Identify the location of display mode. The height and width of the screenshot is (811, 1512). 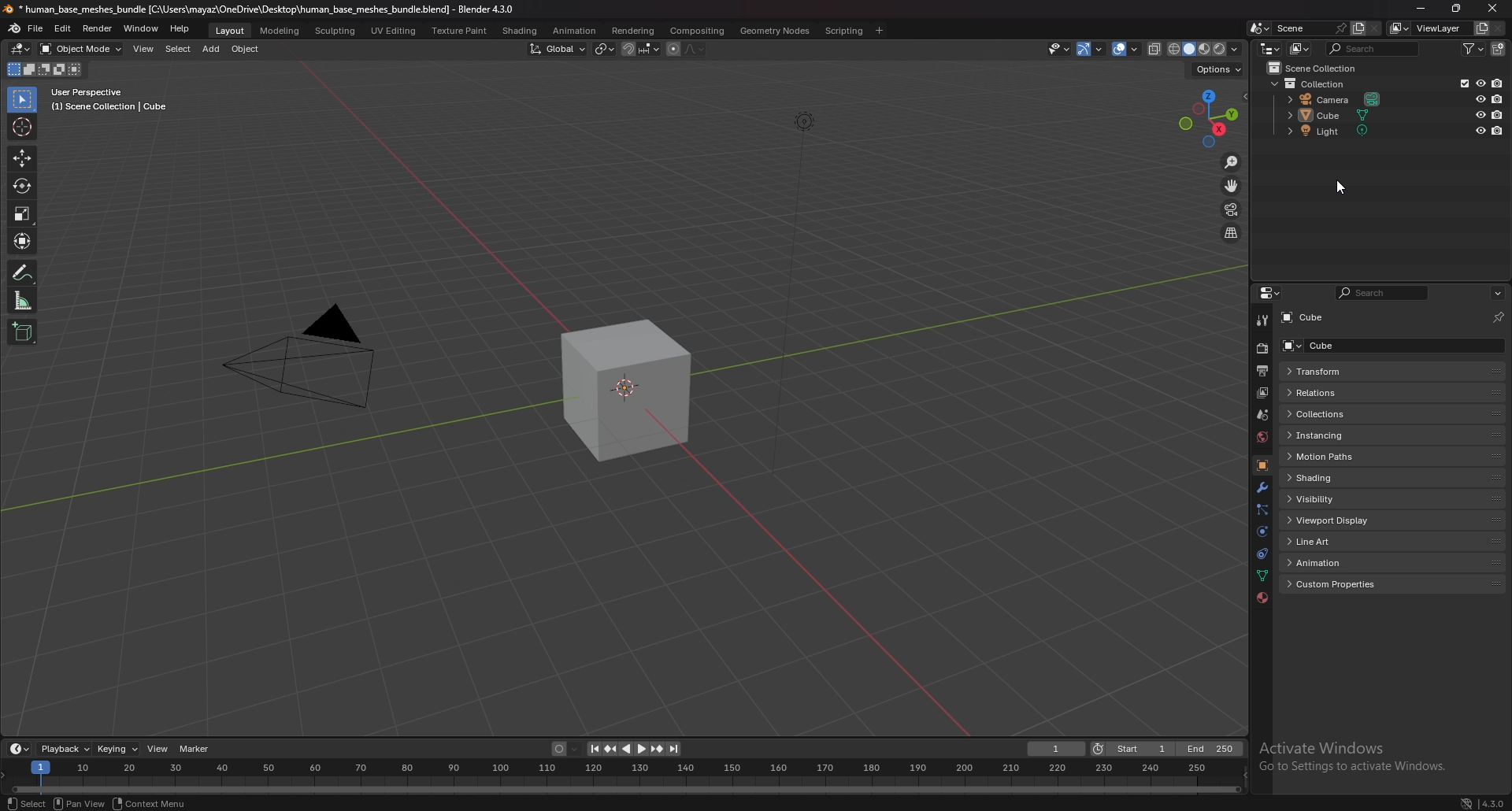
(1302, 48).